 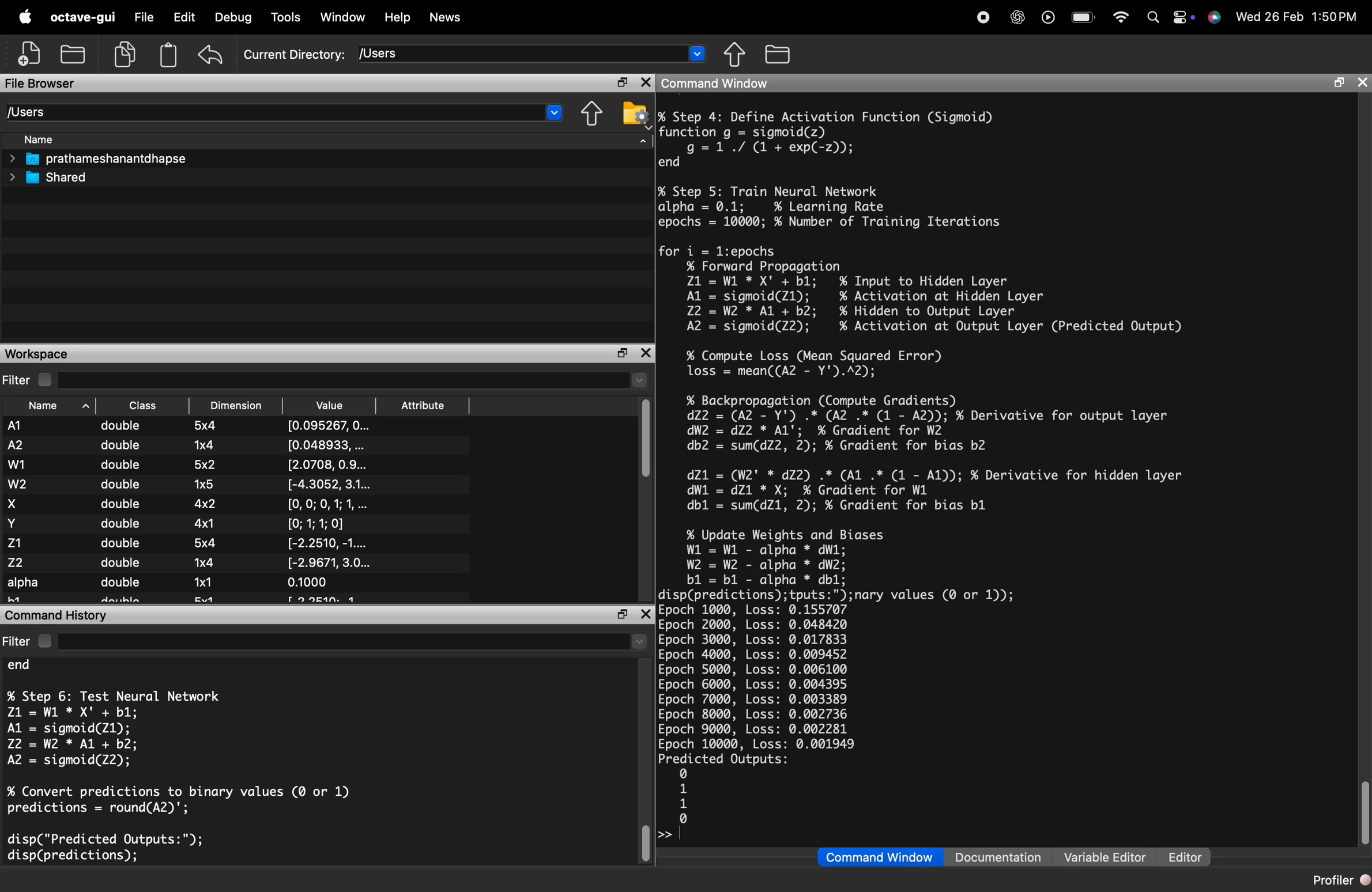 I want to click on New script, so click(x=31, y=54).